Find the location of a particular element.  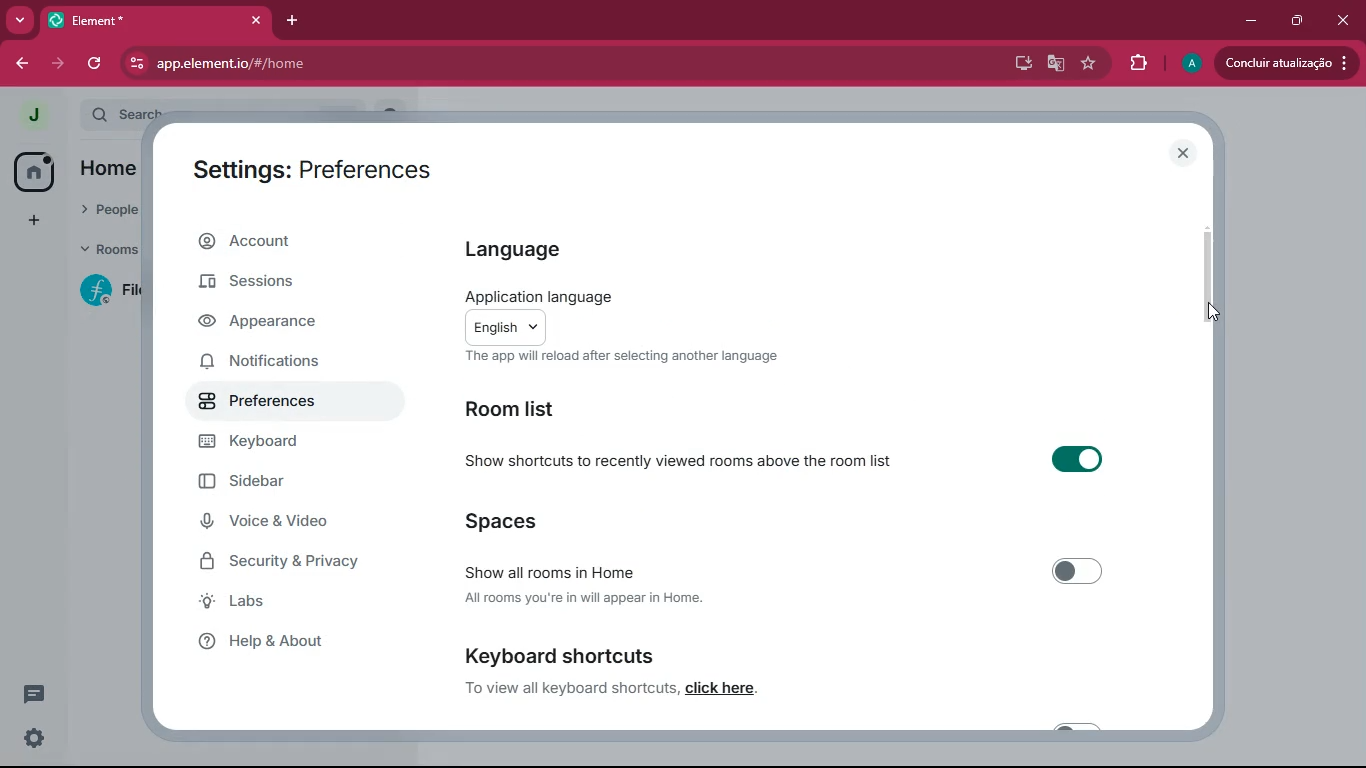

desktop is located at coordinates (1018, 65).